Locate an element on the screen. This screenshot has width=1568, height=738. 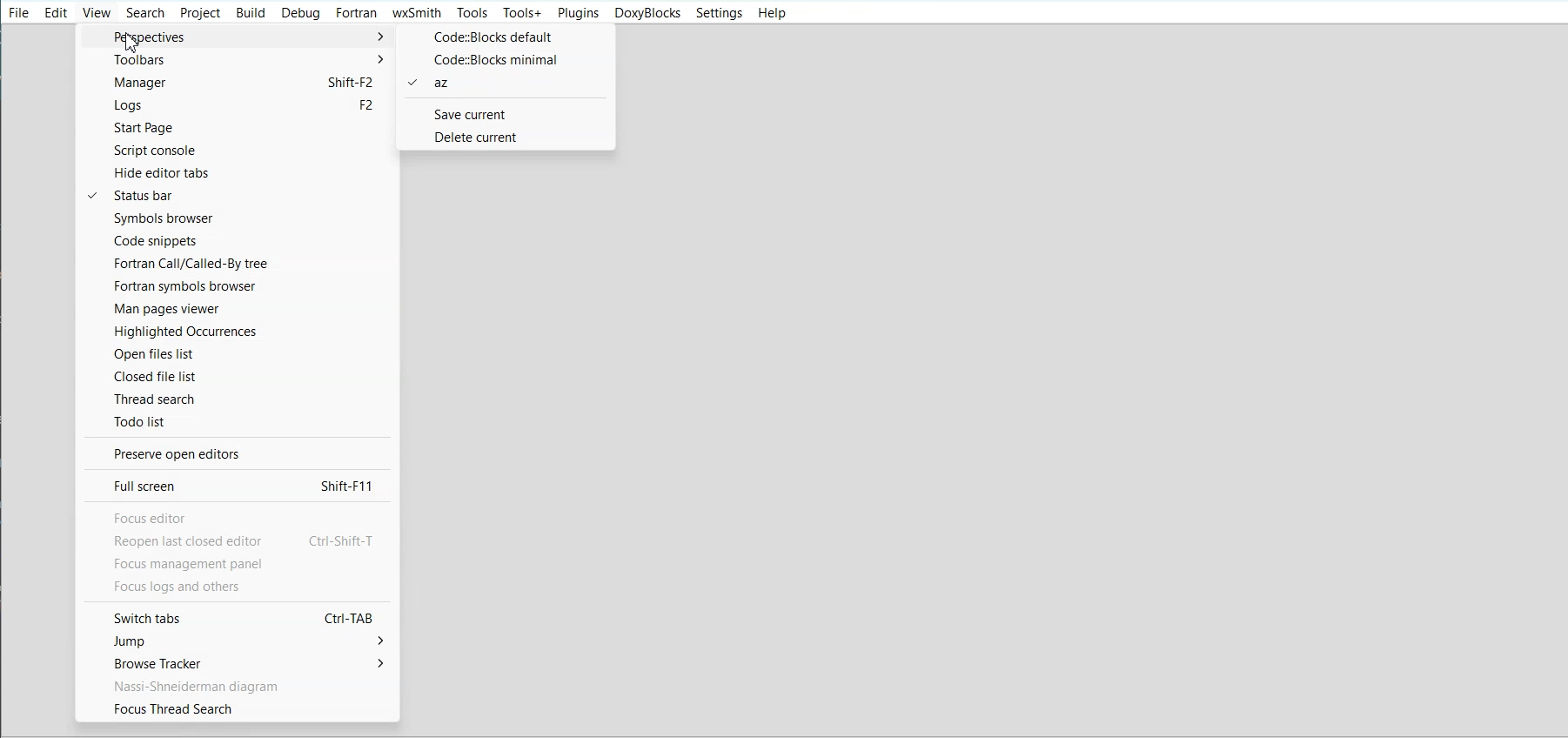
Doxyblocks is located at coordinates (647, 13).